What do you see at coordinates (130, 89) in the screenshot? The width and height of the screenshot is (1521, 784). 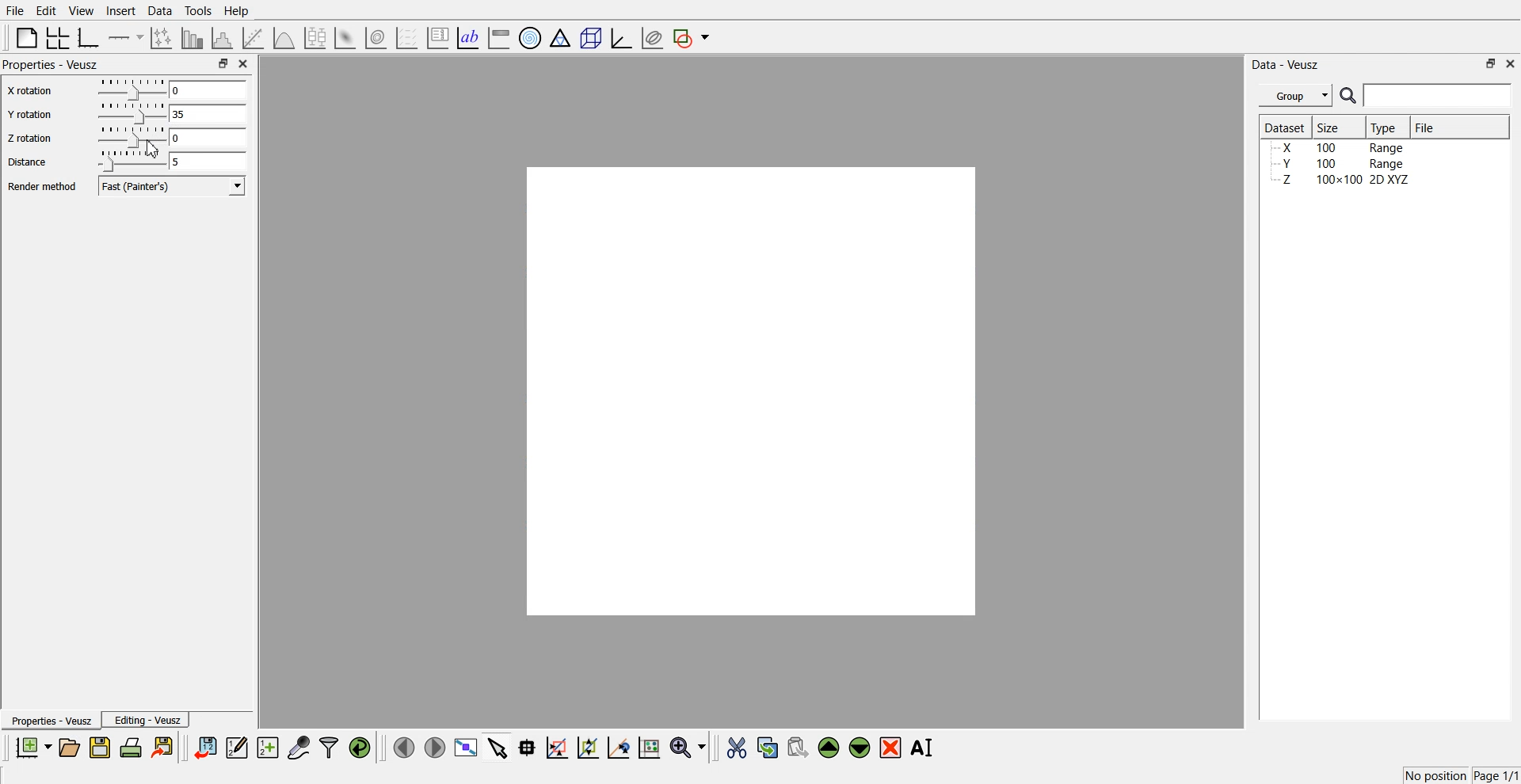 I see `Drag Handle` at bounding box center [130, 89].